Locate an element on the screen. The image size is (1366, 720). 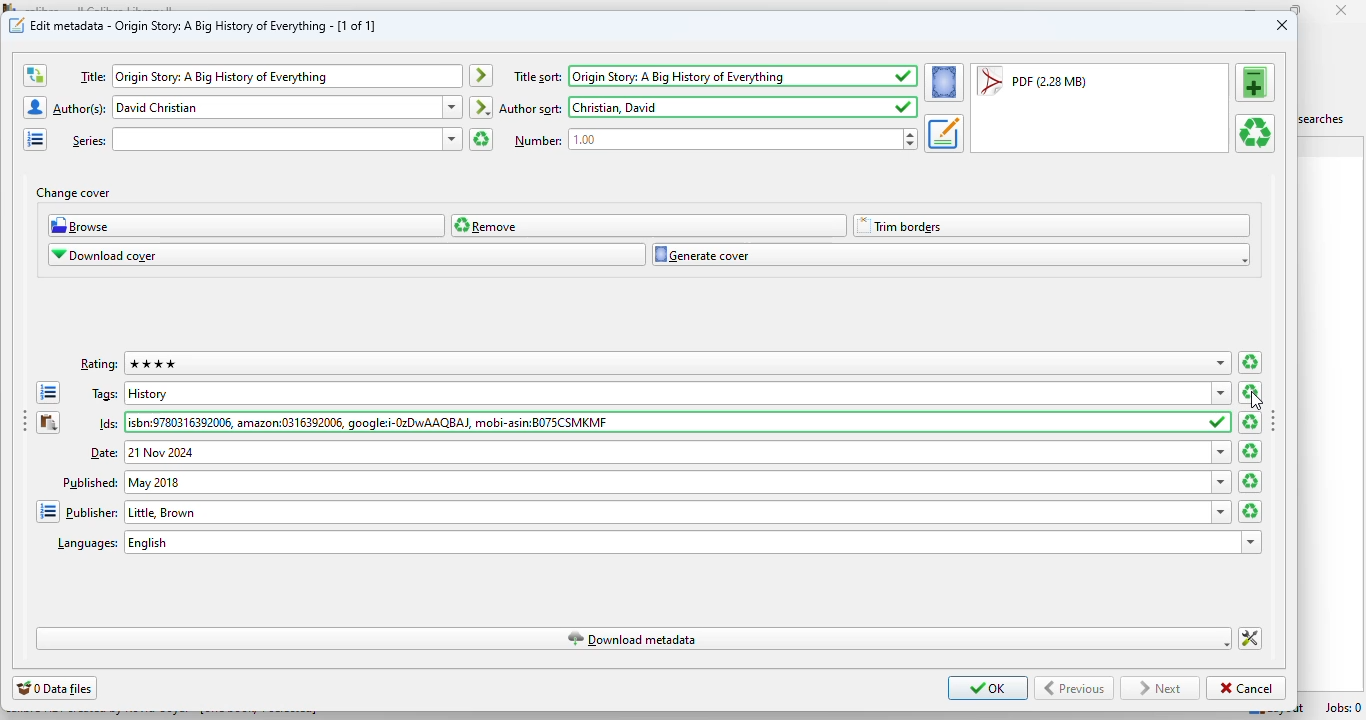
remove the selected format from this book is located at coordinates (1255, 133).